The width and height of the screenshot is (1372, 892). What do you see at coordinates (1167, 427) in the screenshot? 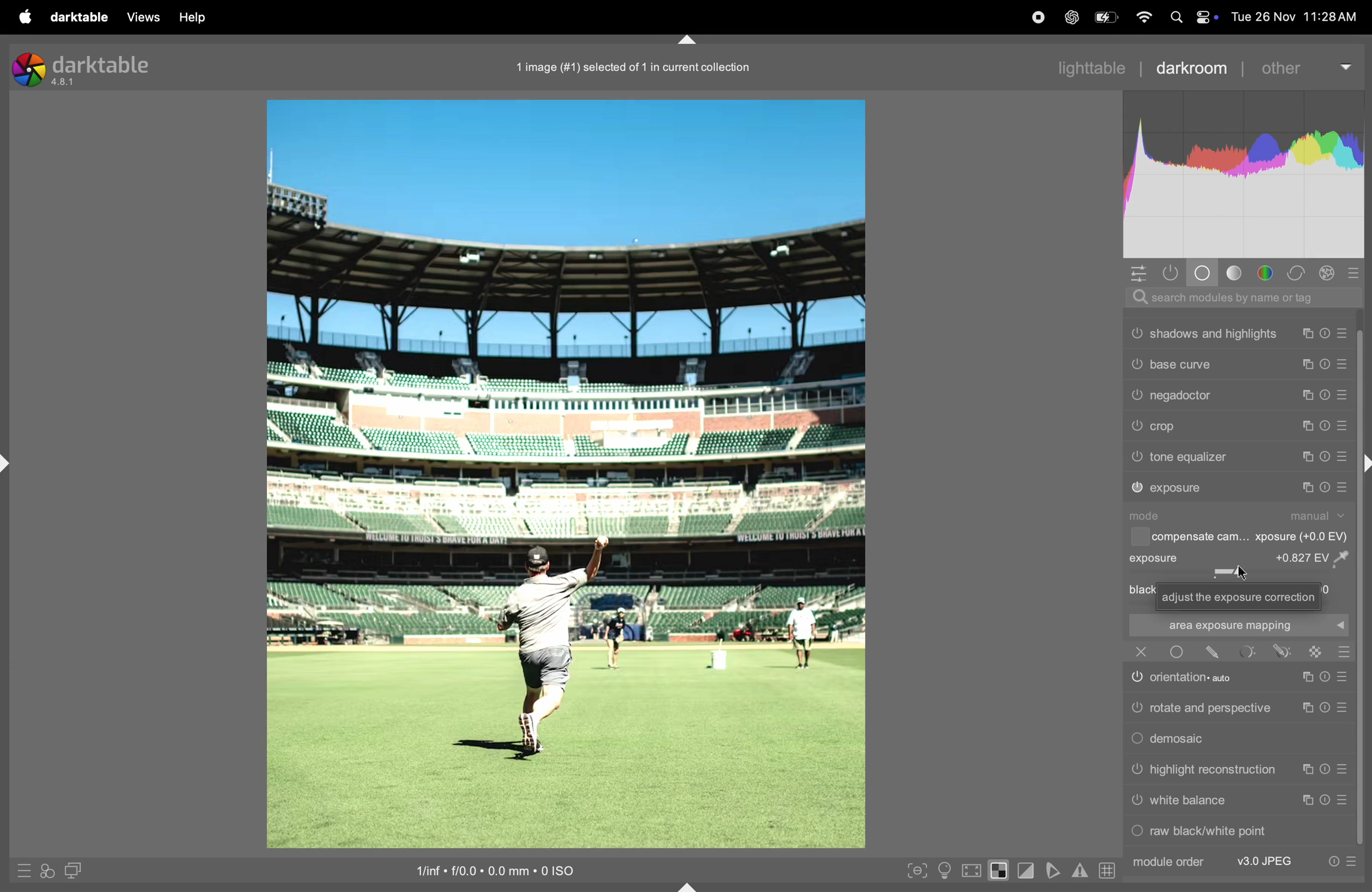
I see `crop` at bounding box center [1167, 427].